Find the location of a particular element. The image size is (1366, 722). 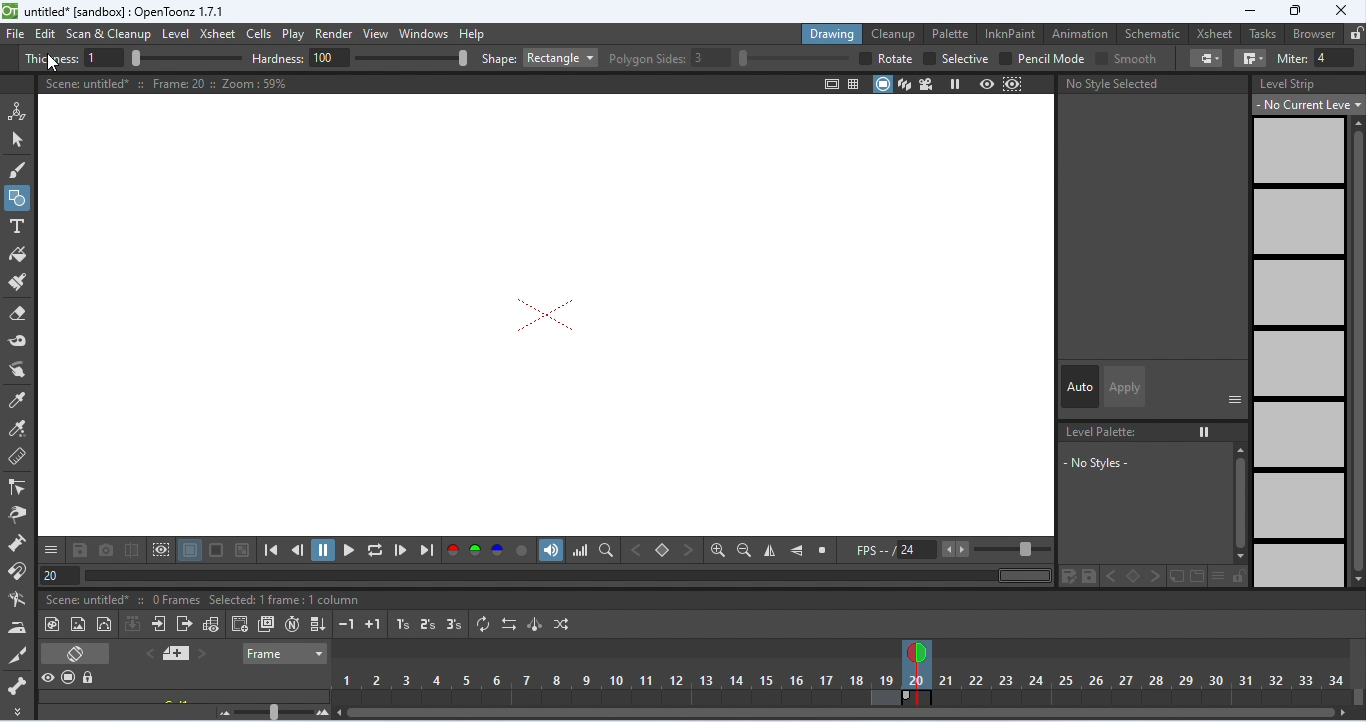

histogram is located at coordinates (578, 550).